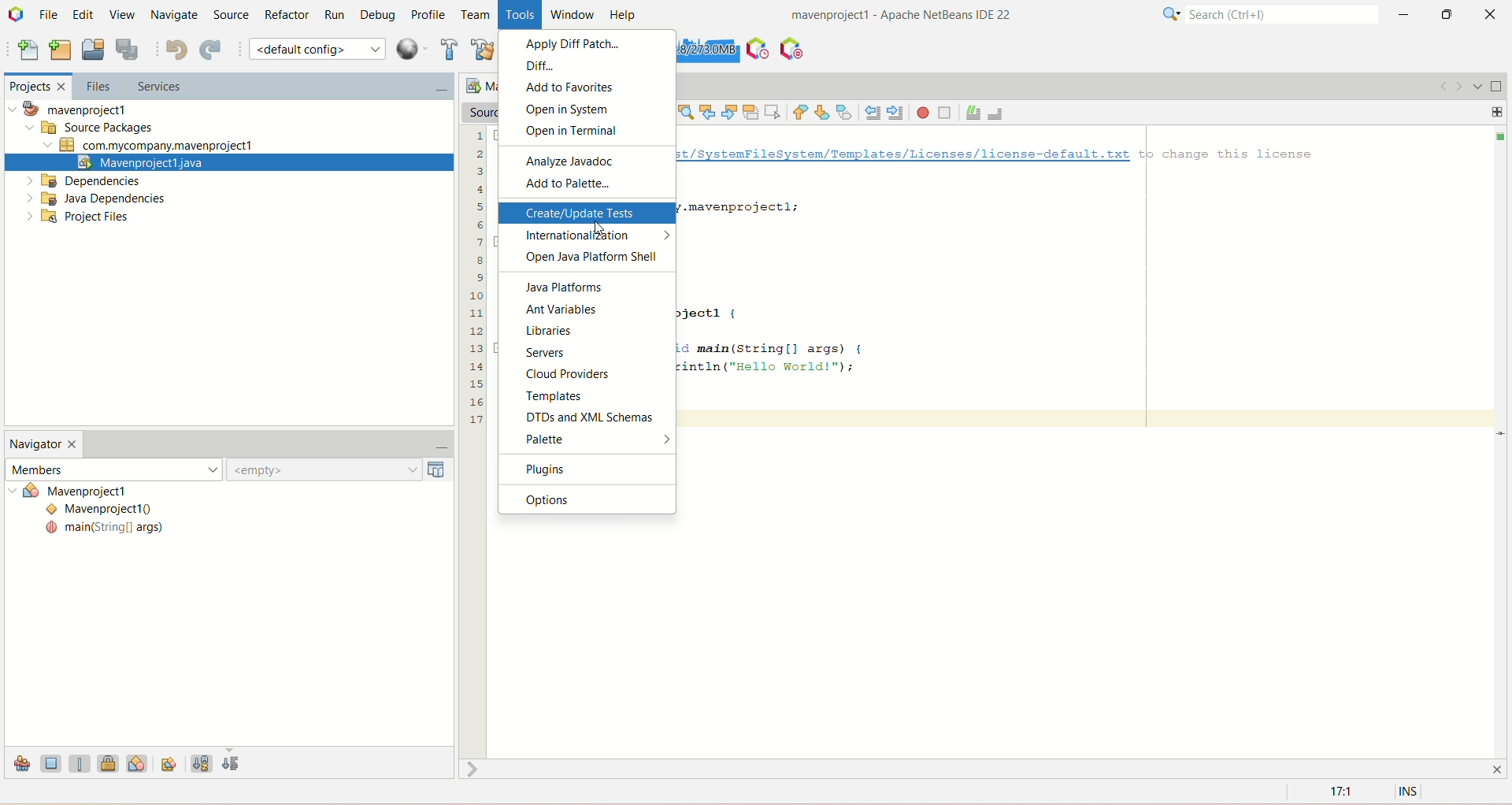  I want to click on mavenproject1, so click(97, 492).